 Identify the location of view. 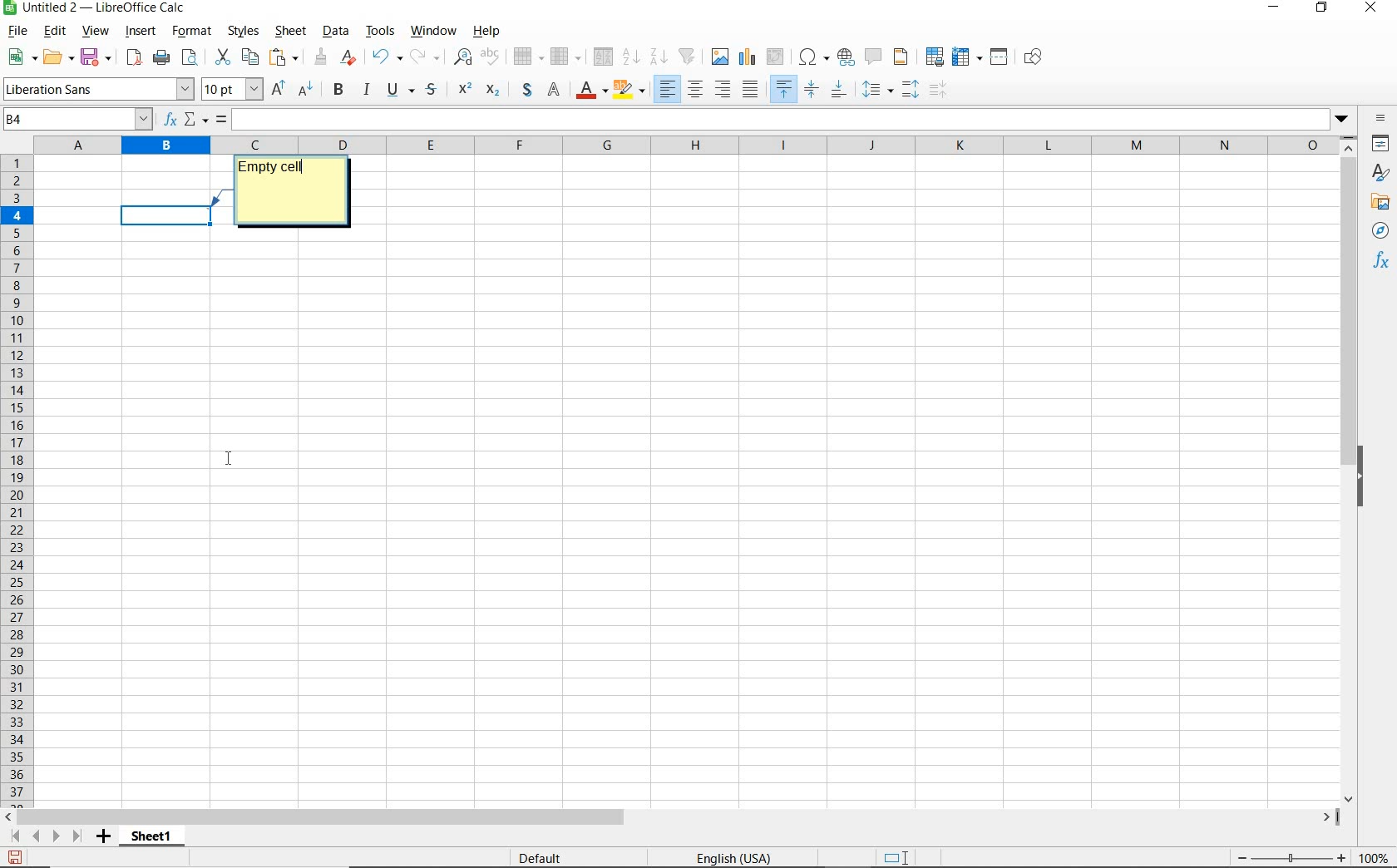
(96, 33).